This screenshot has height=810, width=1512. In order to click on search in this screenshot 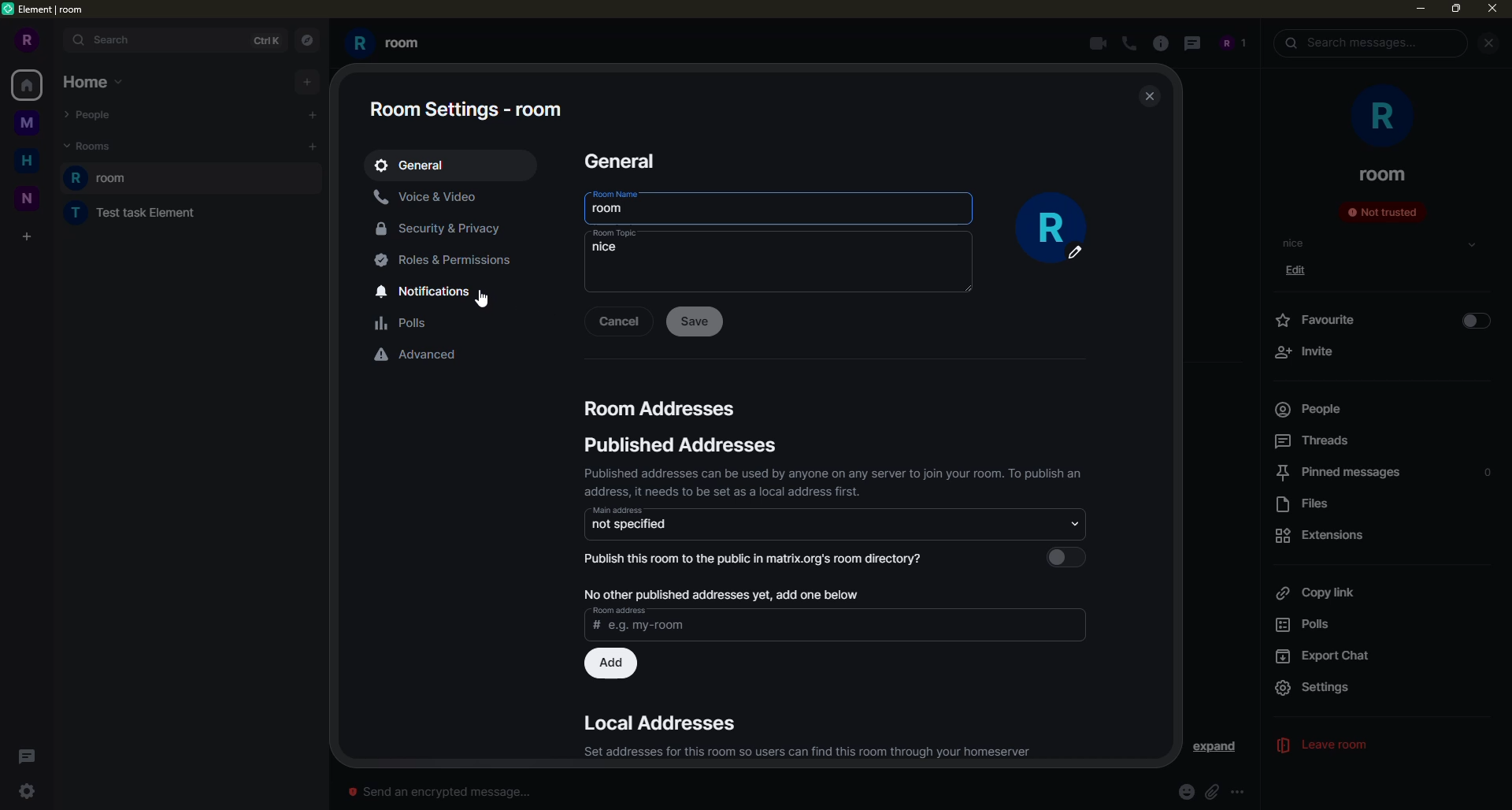, I will do `click(1351, 43)`.